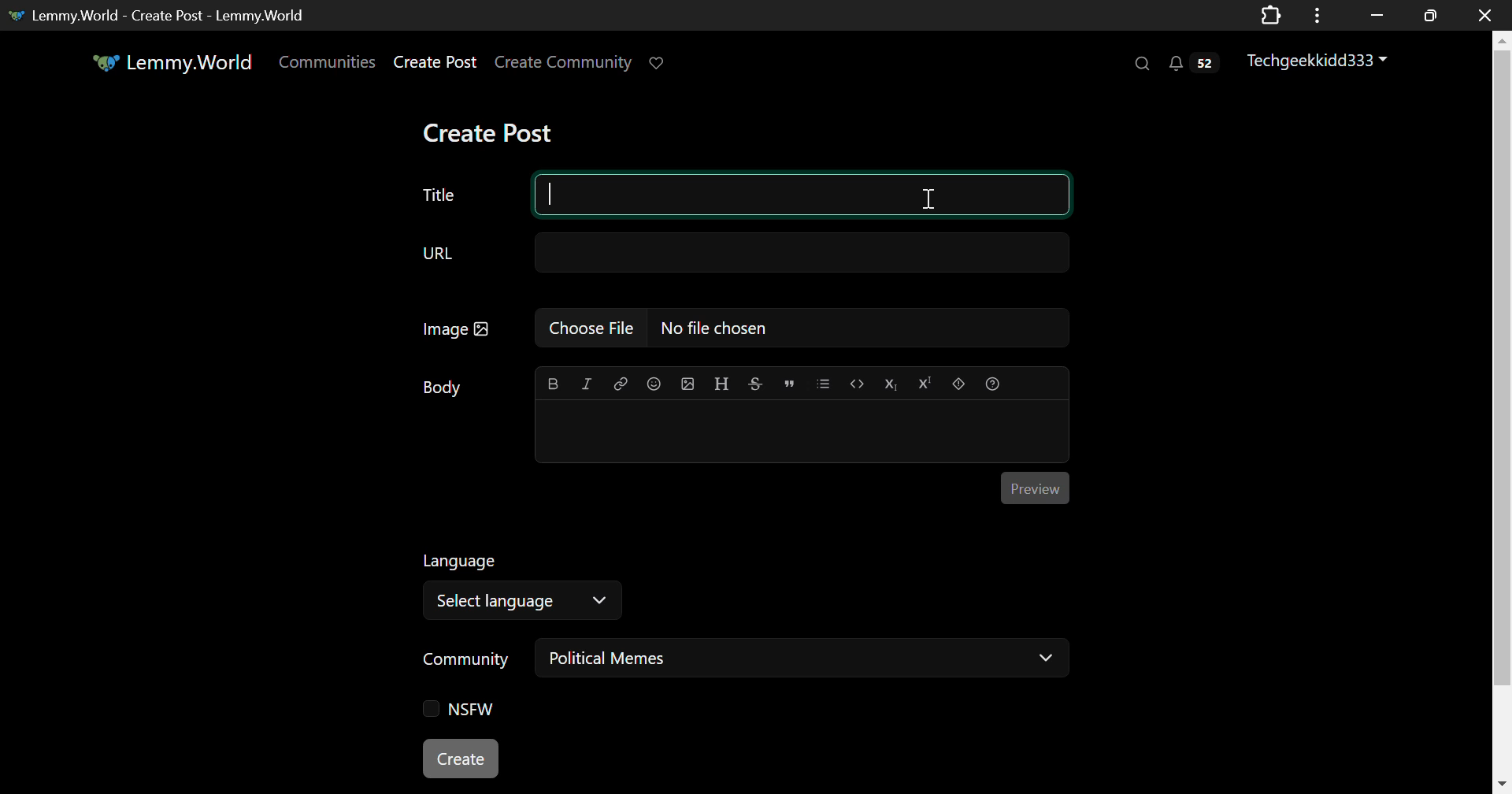 This screenshot has height=794, width=1512. Describe the element at coordinates (660, 61) in the screenshot. I see `Donate to Lemmy` at that location.